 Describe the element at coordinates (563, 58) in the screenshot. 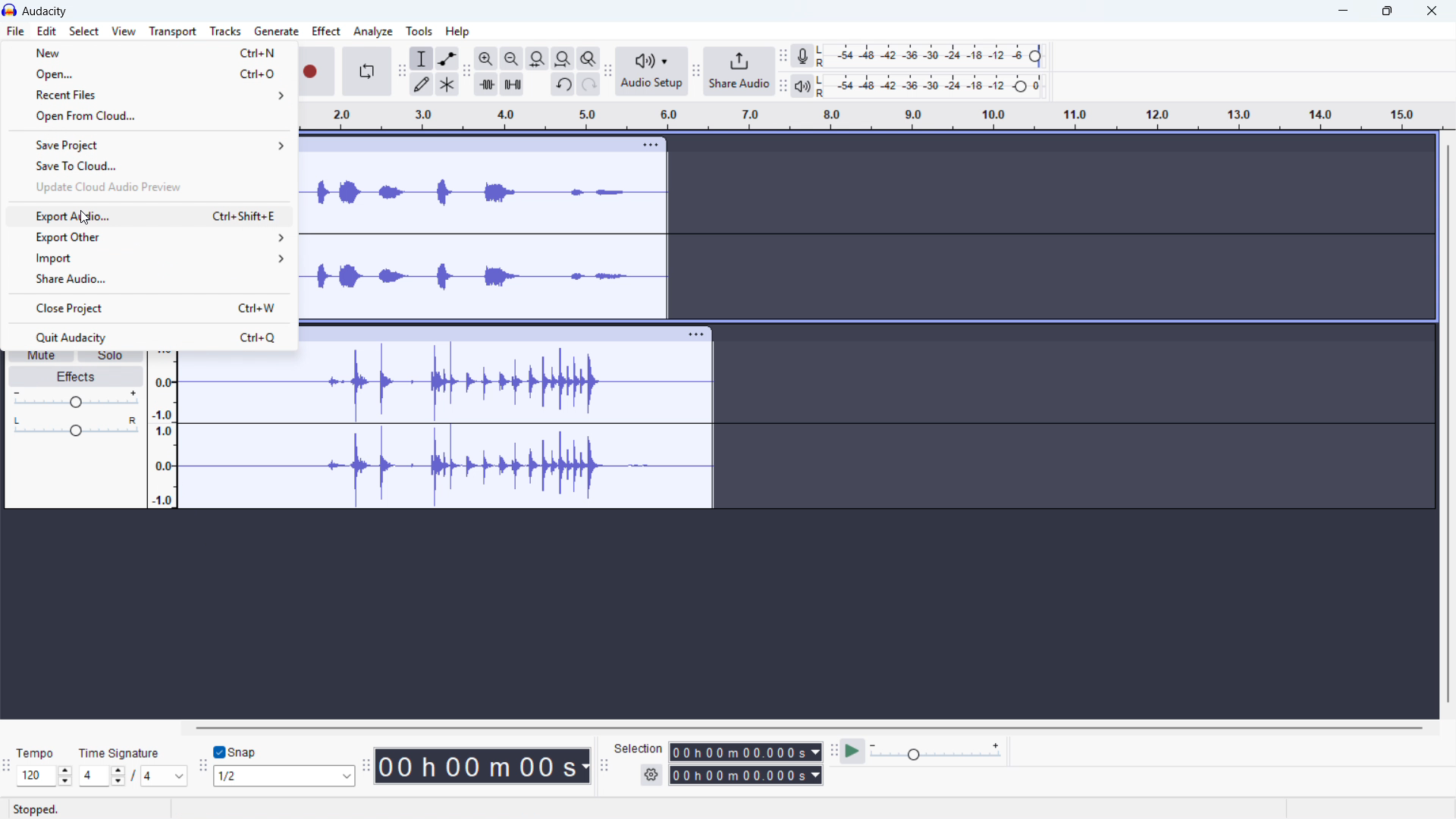

I see `fit project to width` at that location.